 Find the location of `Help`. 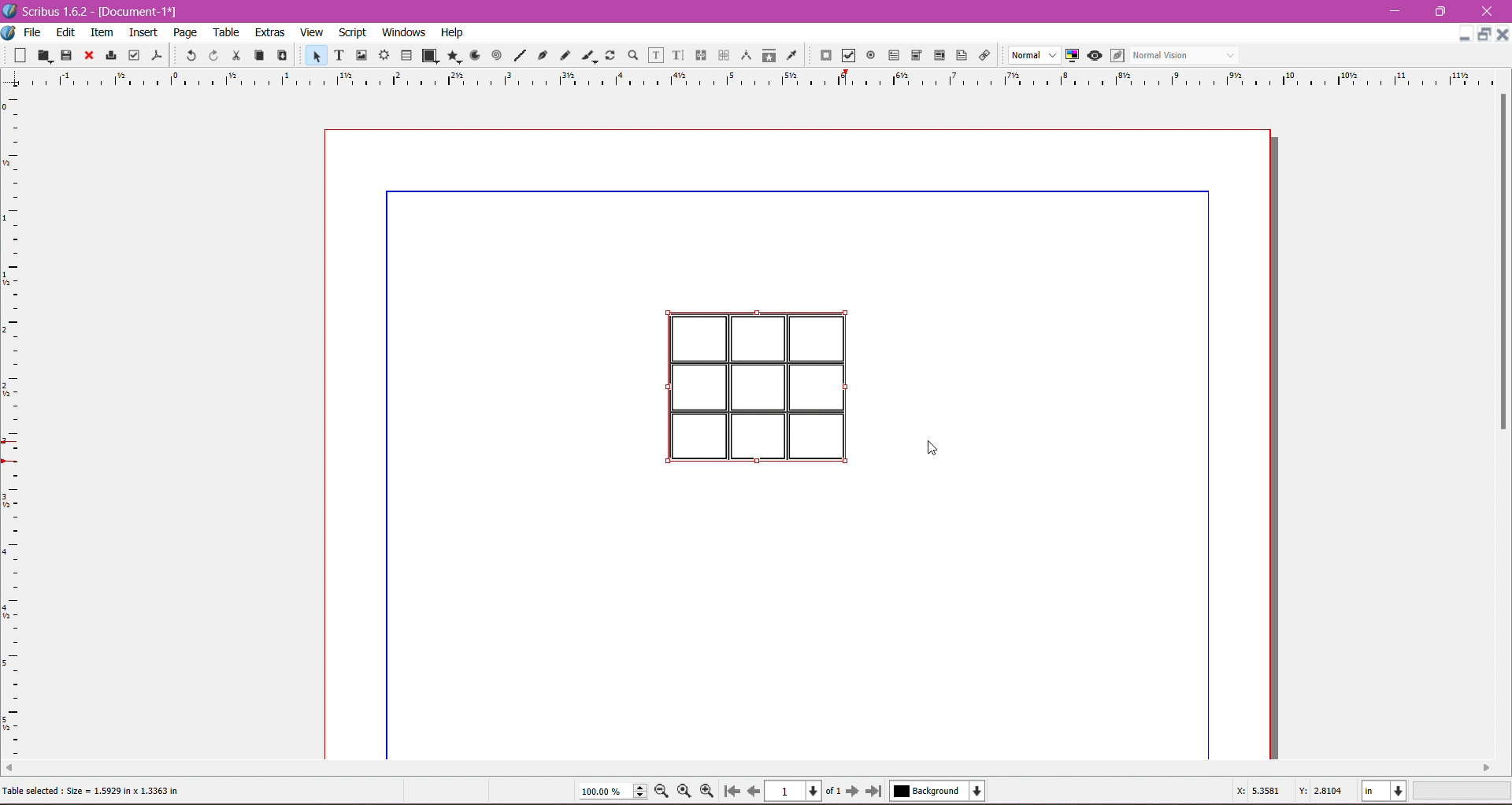

Help is located at coordinates (452, 33).